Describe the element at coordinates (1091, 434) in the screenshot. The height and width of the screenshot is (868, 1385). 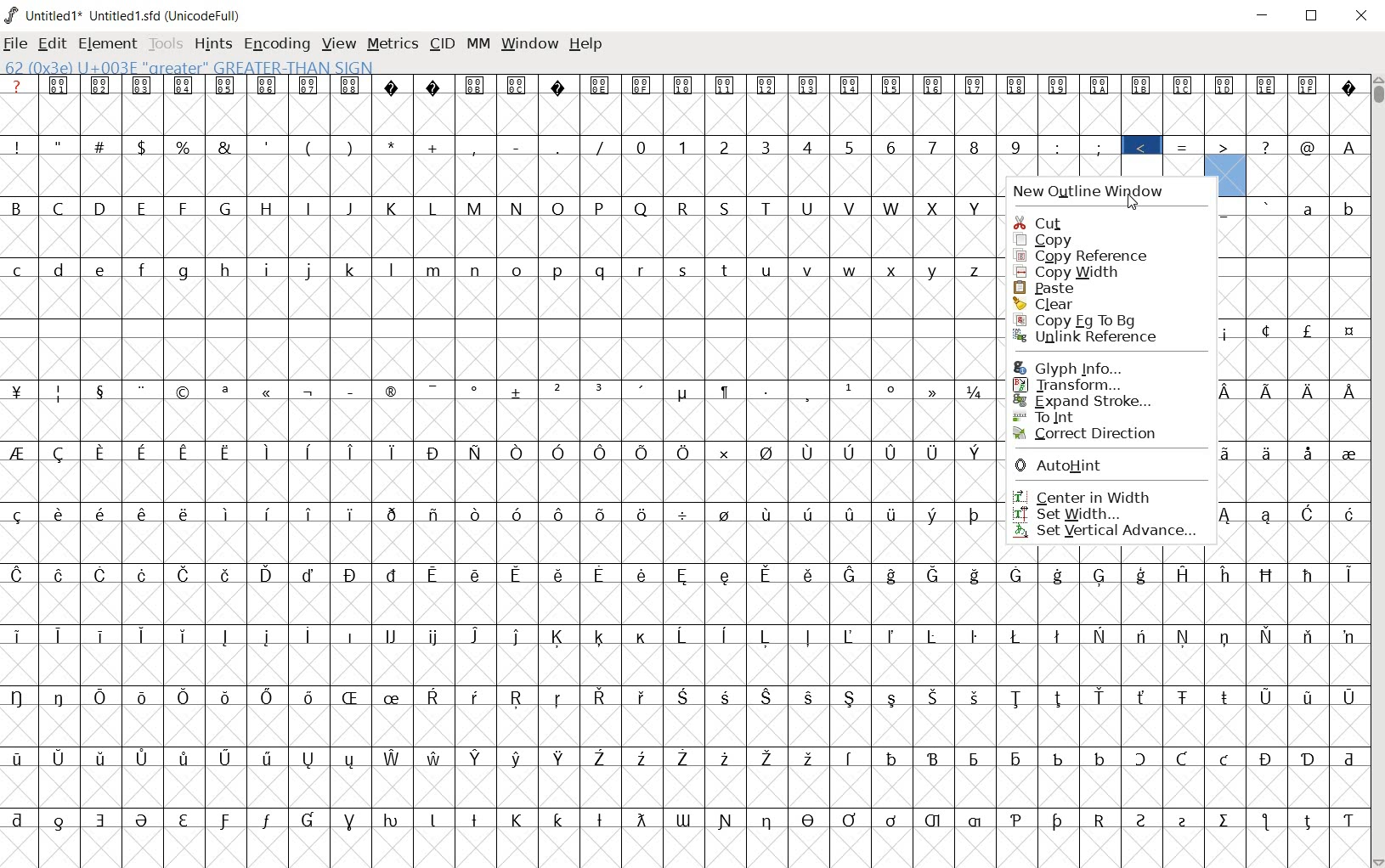
I see `correct direction` at that location.